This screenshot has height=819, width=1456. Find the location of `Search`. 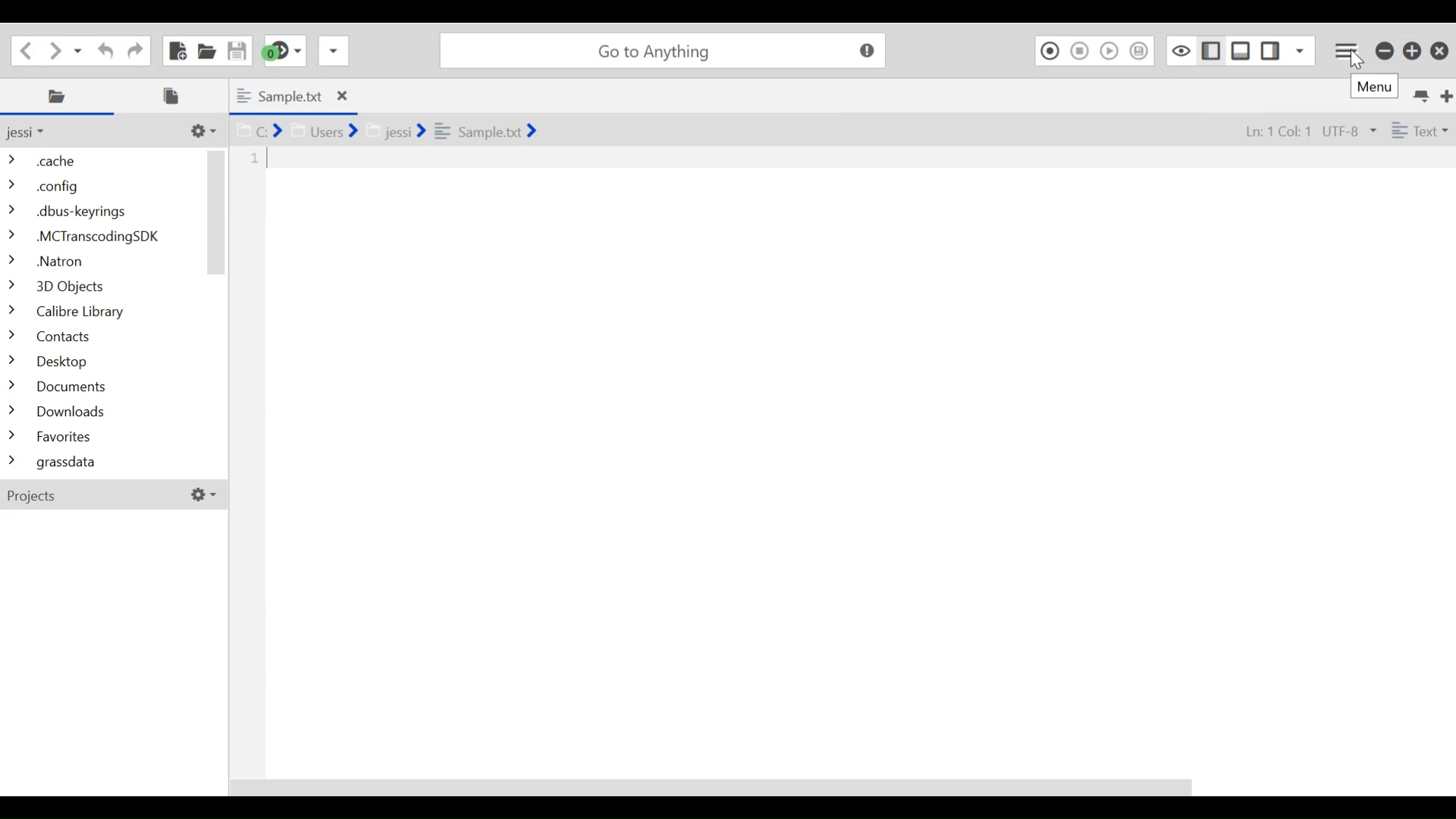

Search is located at coordinates (662, 50).